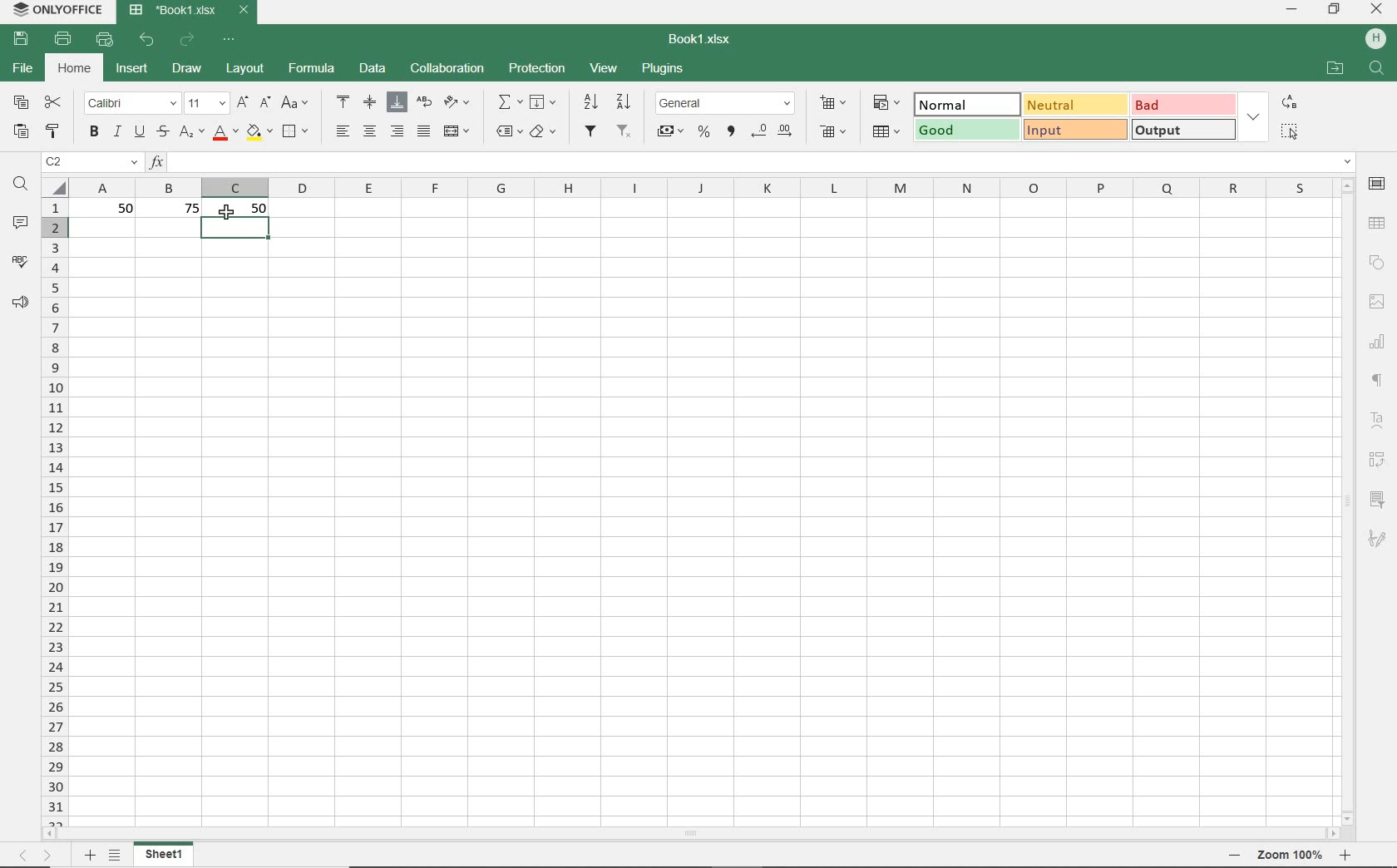 This screenshot has width=1397, height=868. I want to click on restore, so click(1335, 11).